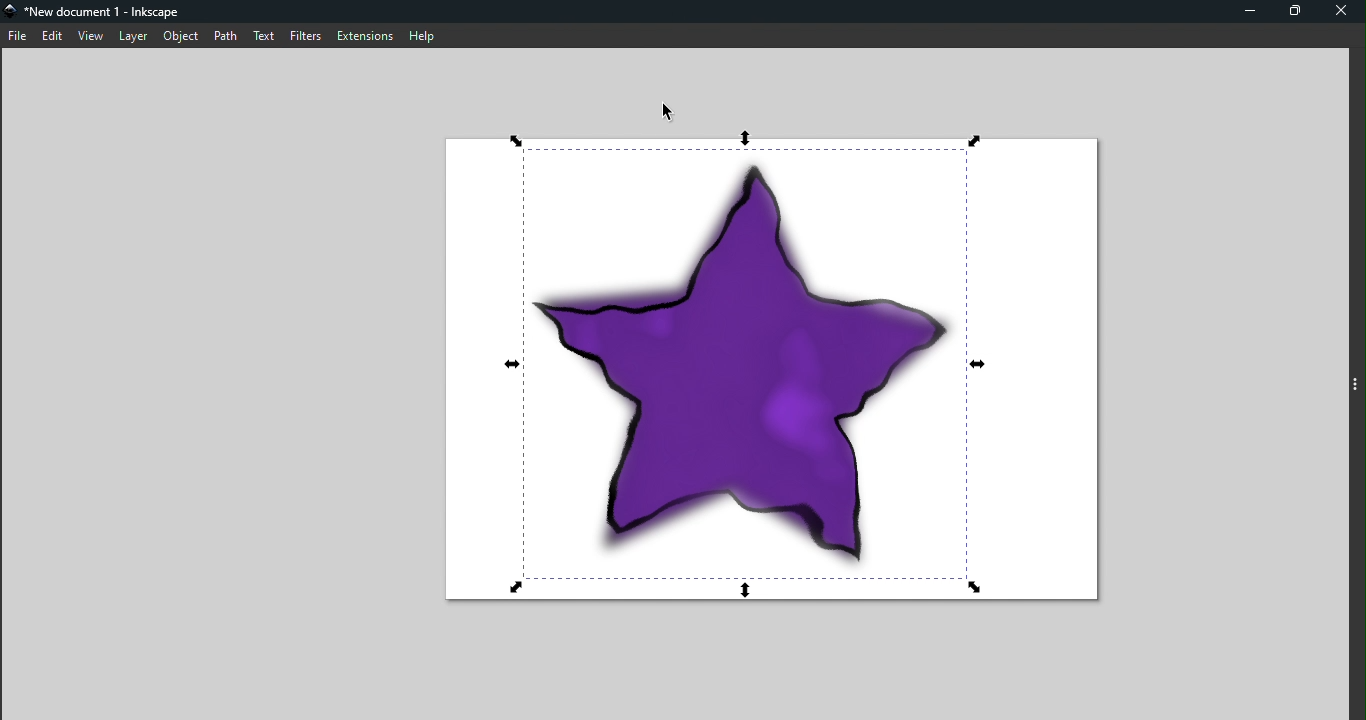 The height and width of the screenshot is (720, 1366). What do you see at coordinates (264, 38) in the screenshot?
I see `Text` at bounding box center [264, 38].